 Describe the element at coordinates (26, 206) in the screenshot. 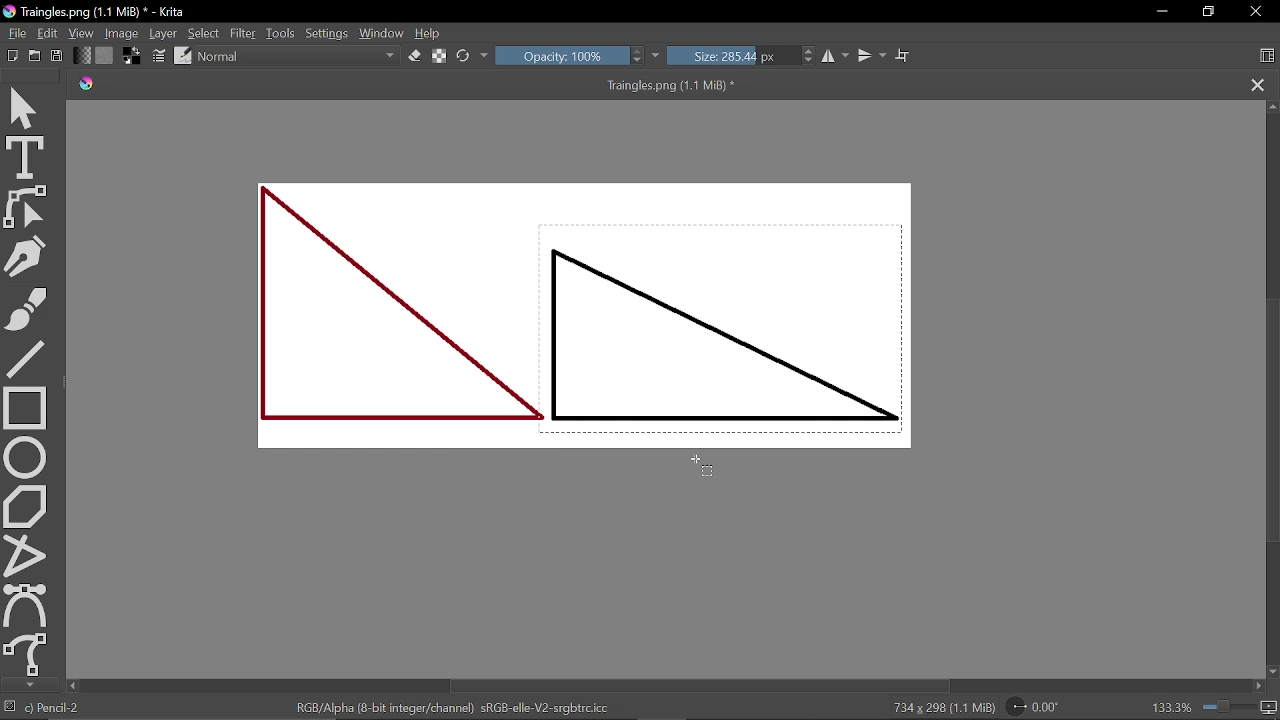

I see `Edit shapes tool` at that location.